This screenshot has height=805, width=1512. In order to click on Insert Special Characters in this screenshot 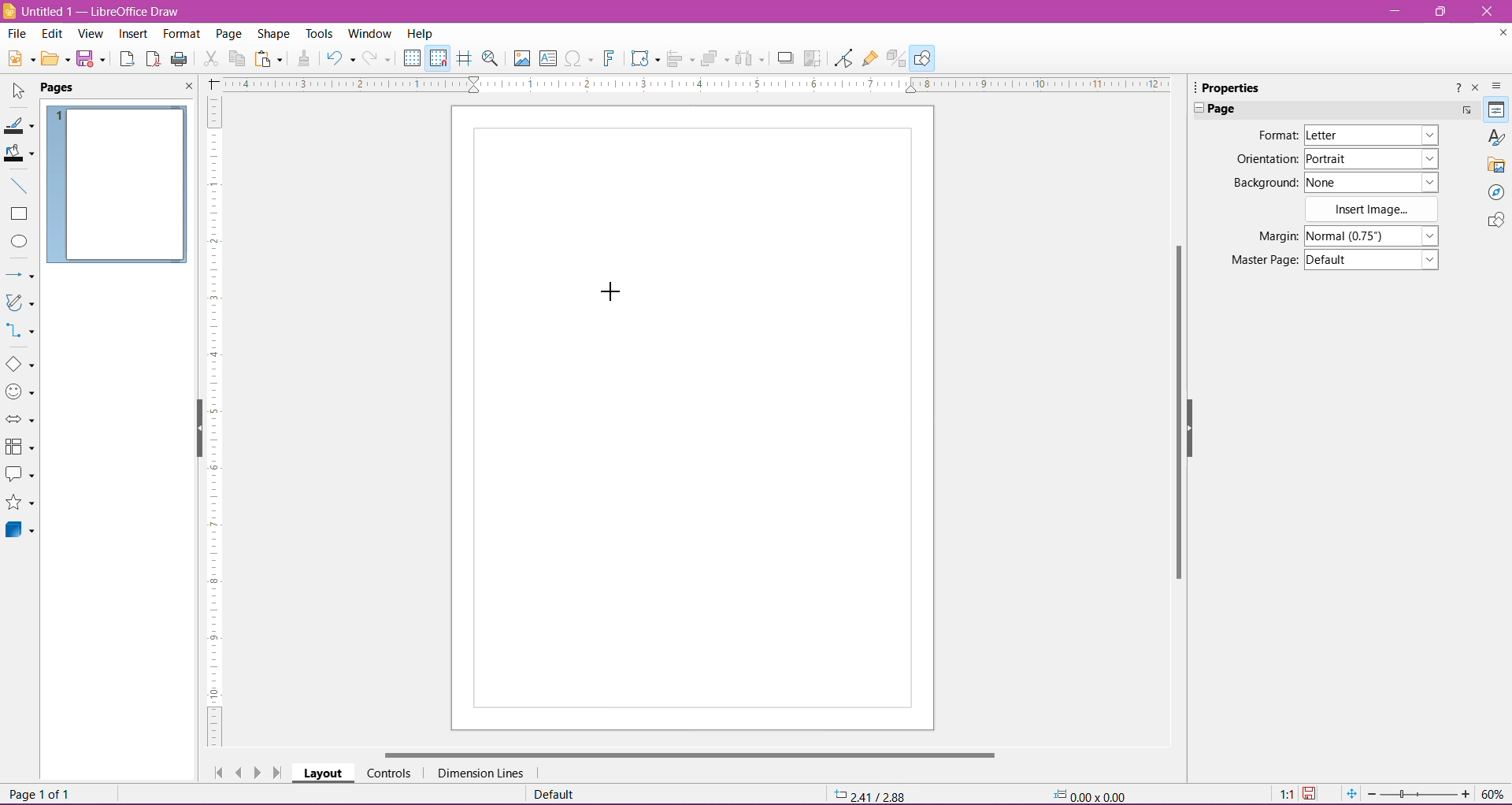, I will do `click(579, 58)`.